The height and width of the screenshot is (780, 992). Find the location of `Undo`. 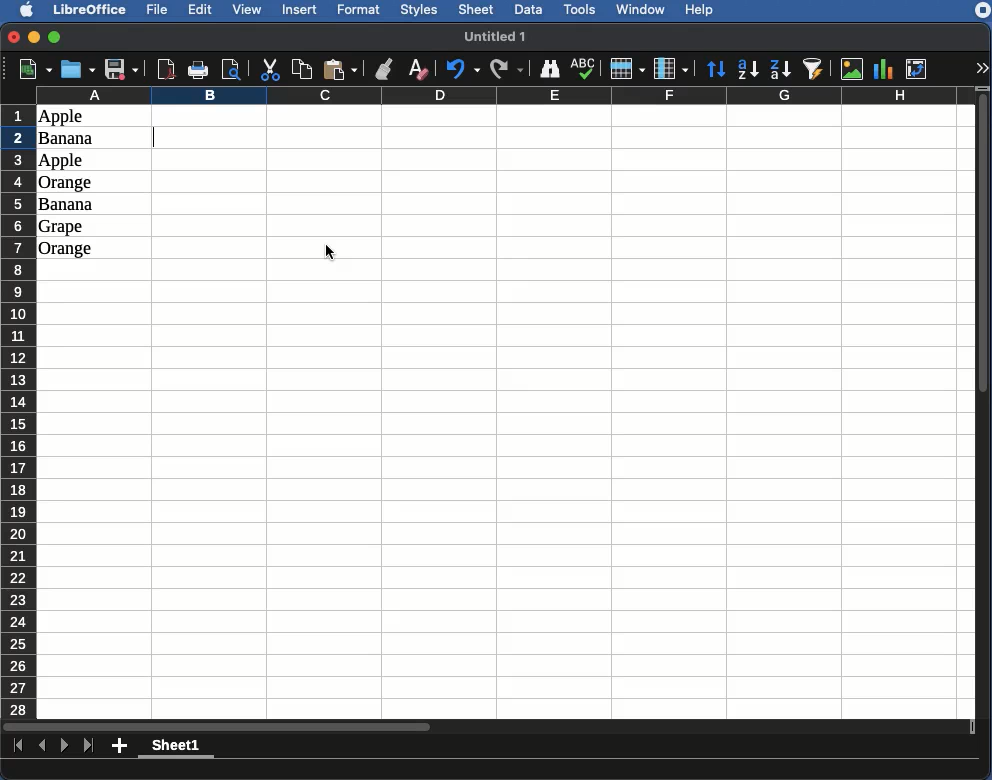

Undo is located at coordinates (462, 70).